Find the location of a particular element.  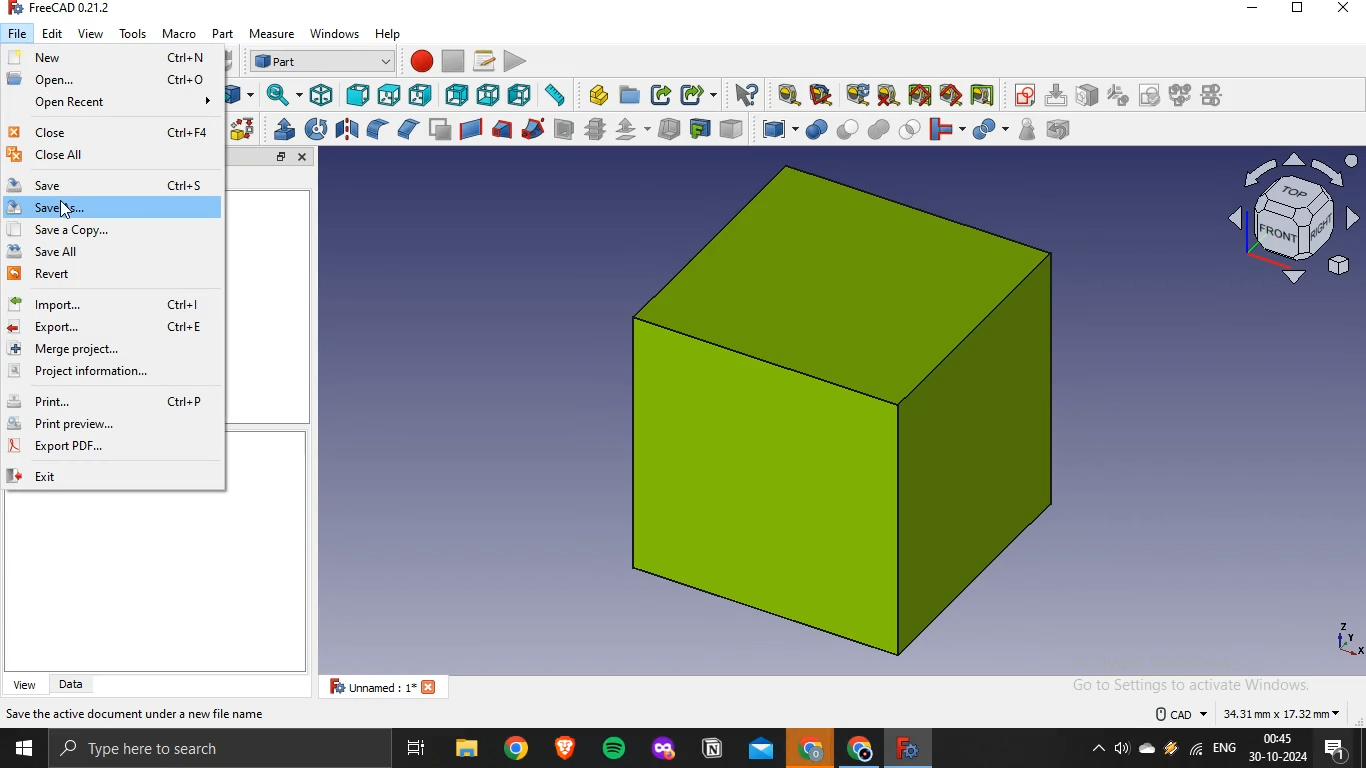

left is located at coordinates (522, 95).